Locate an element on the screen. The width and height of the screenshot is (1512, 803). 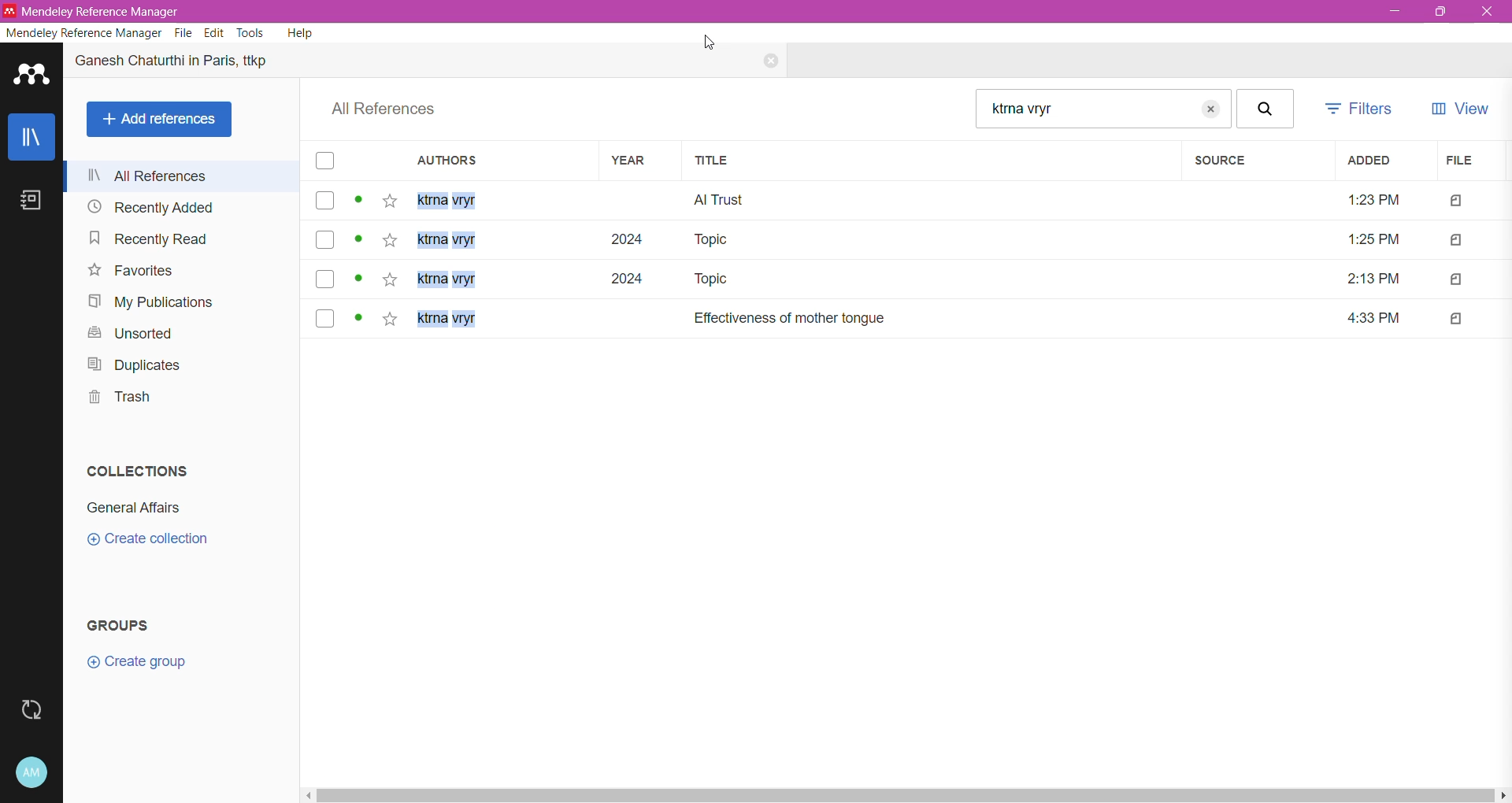
Minimize is located at coordinates (1391, 13).